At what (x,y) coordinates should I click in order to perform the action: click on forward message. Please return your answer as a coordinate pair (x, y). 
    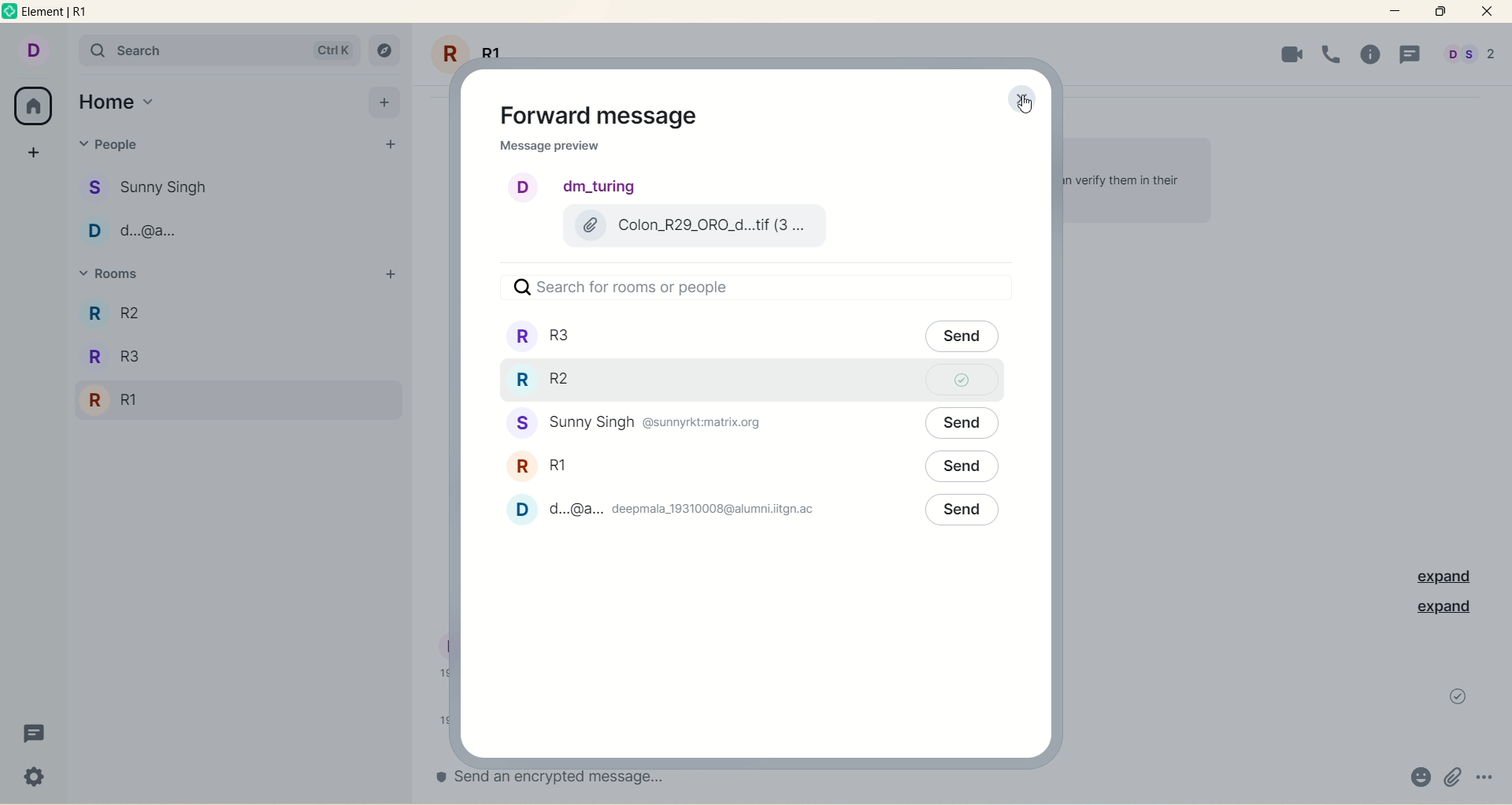
    Looking at the image, I should click on (609, 116).